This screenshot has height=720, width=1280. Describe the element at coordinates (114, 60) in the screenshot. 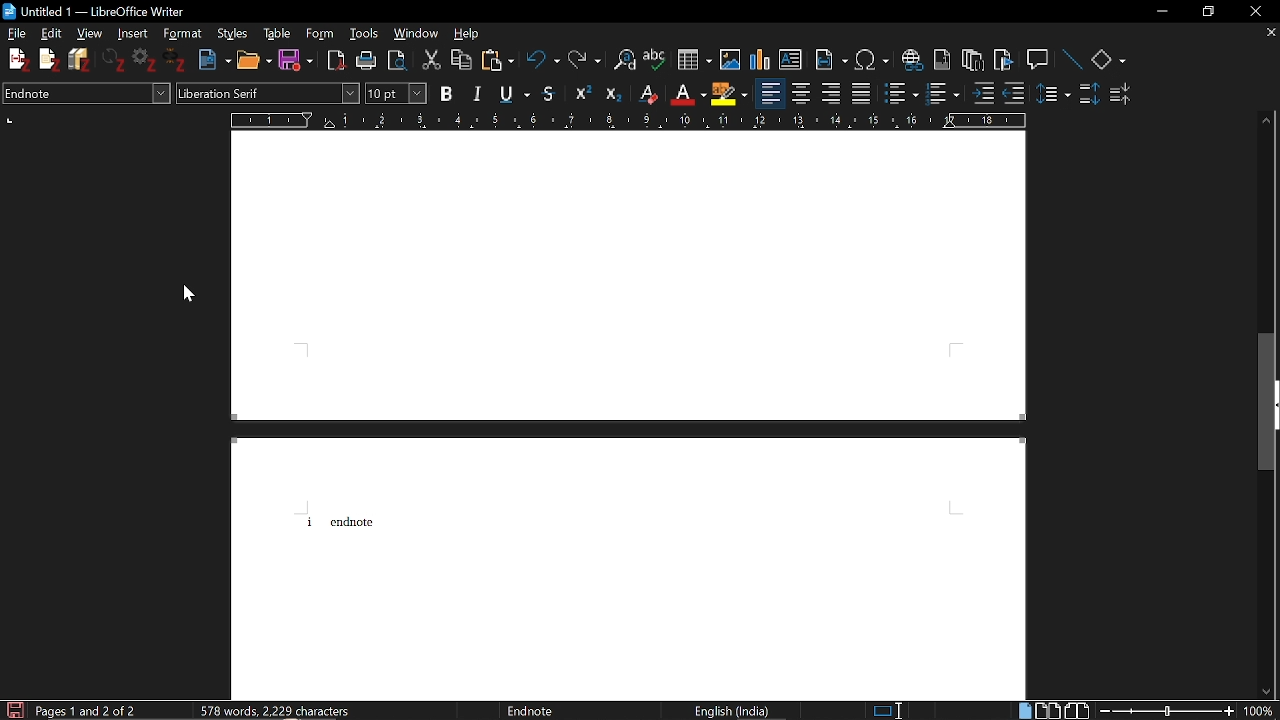

I see `Refresh` at that location.